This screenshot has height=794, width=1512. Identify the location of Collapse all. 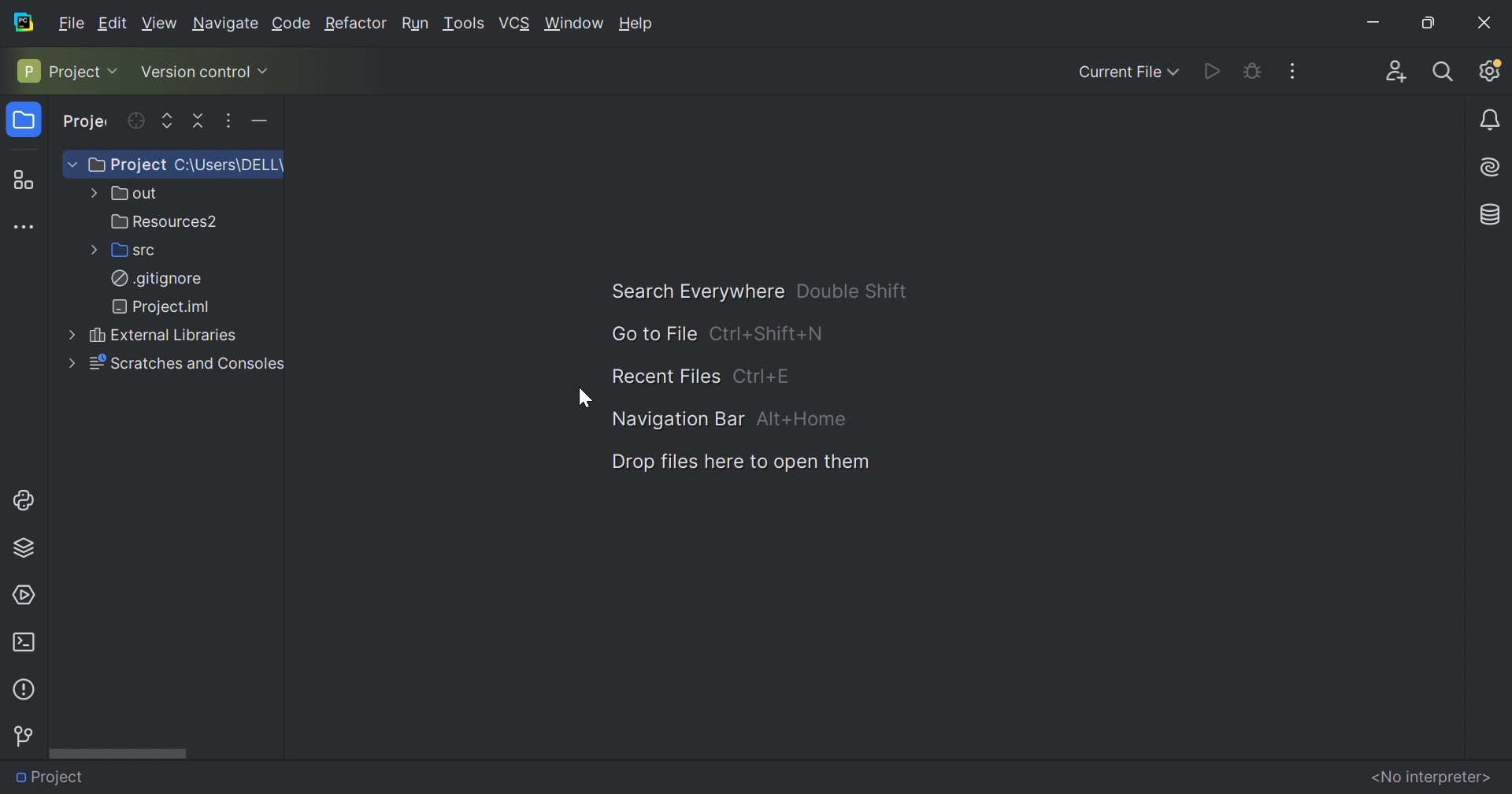
(199, 119).